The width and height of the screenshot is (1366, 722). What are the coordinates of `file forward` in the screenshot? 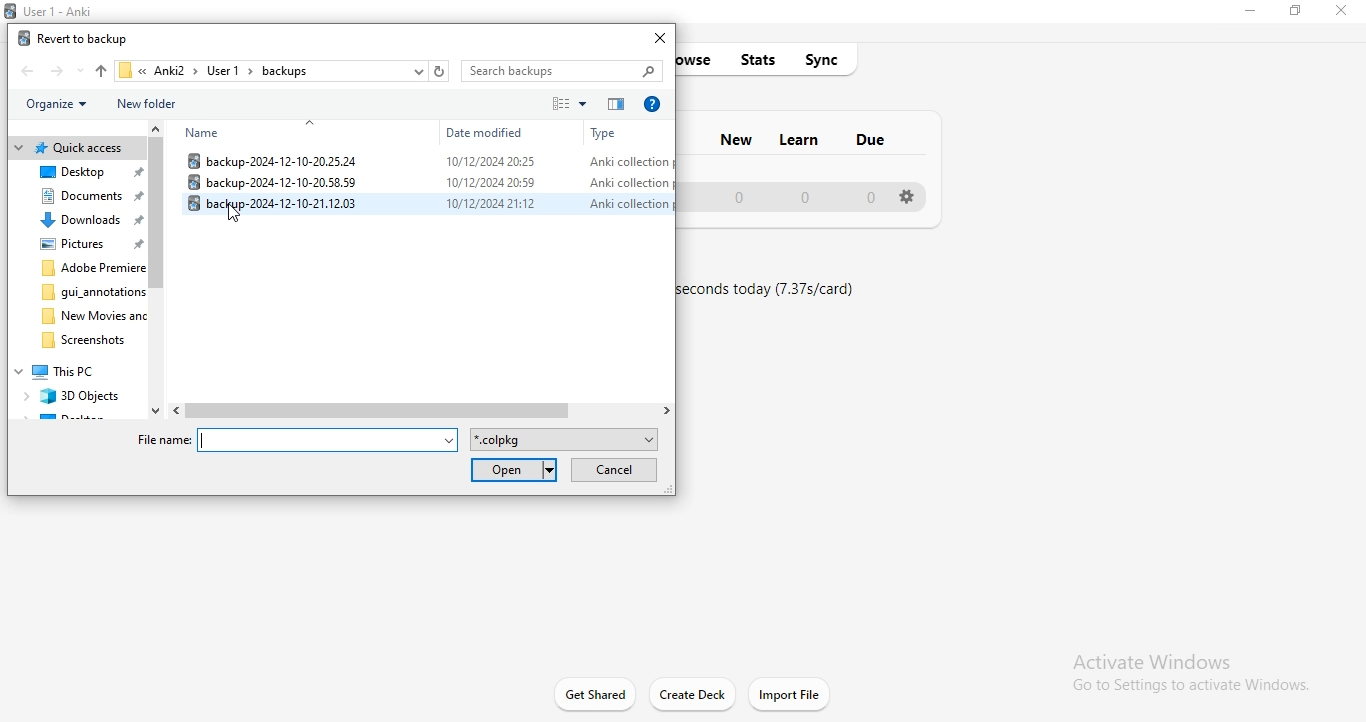 It's located at (56, 70).